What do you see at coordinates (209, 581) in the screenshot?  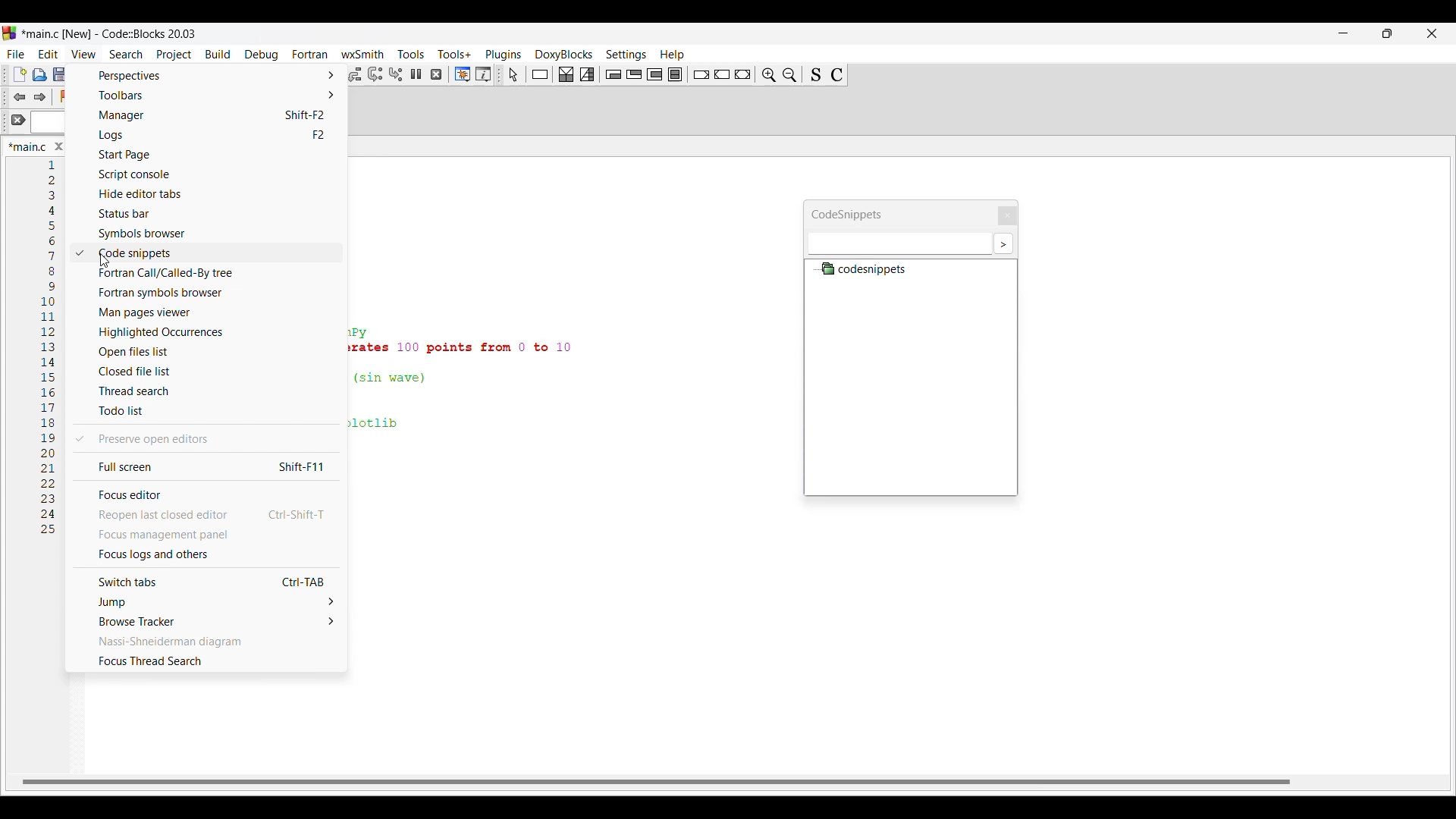 I see `Switch tabs` at bounding box center [209, 581].